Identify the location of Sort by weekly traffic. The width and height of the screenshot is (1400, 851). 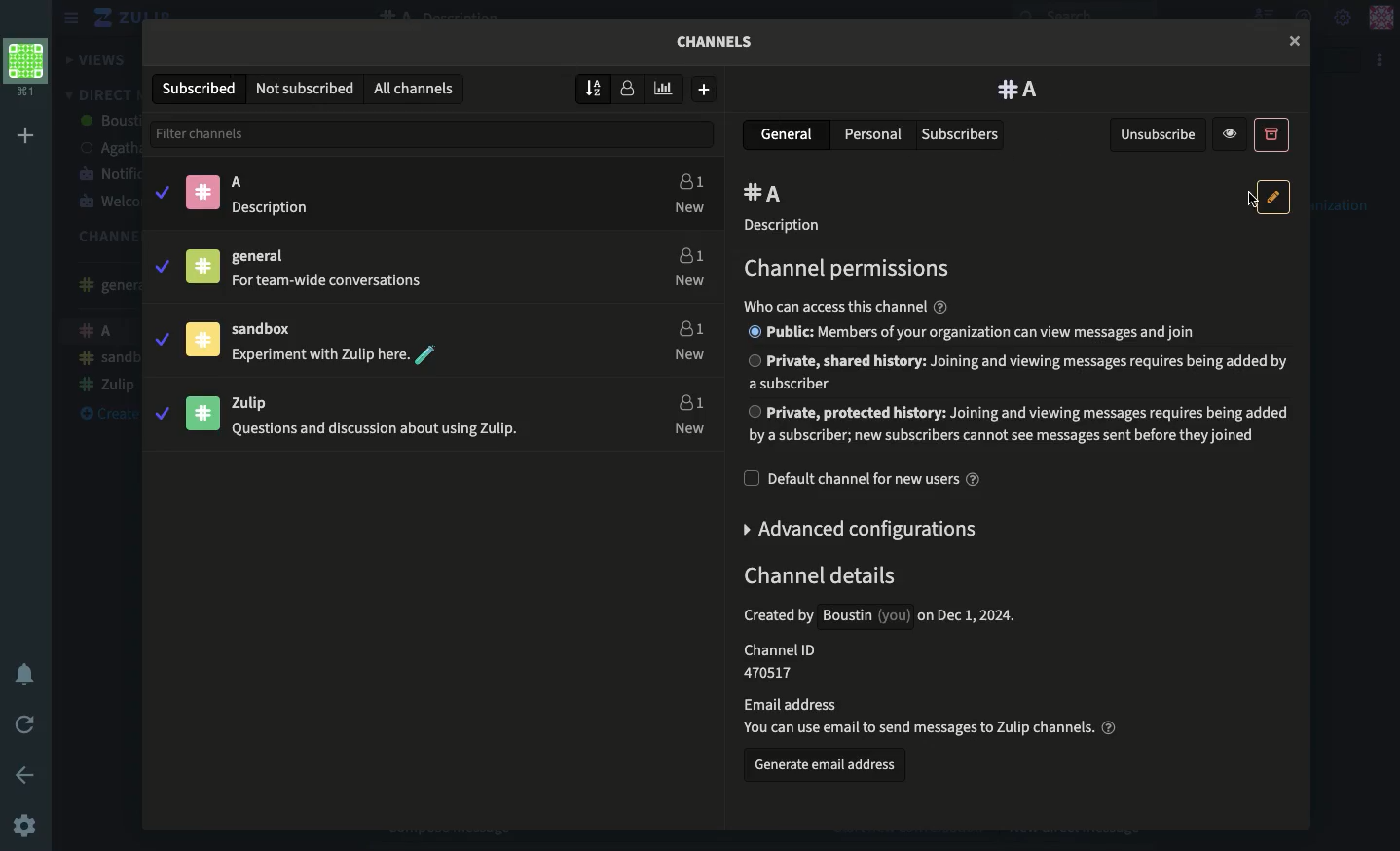
(666, 89).